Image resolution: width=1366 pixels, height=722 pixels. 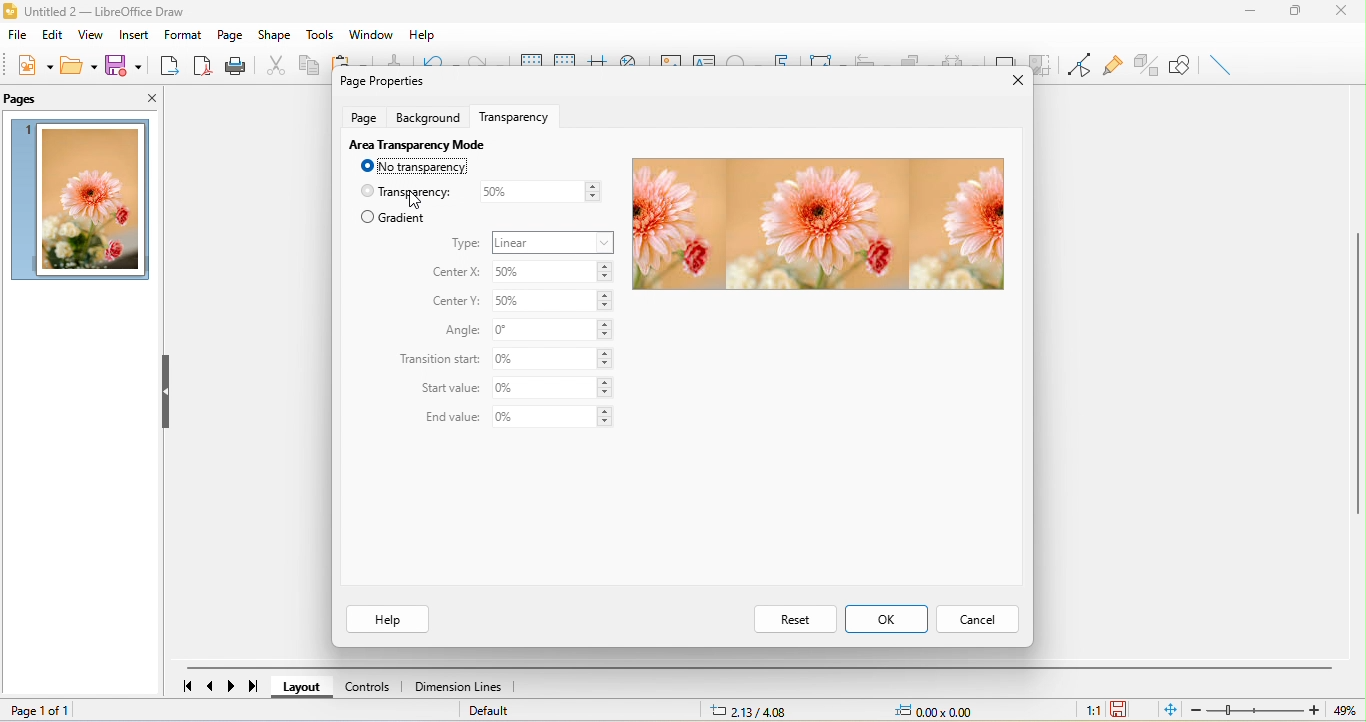 I want to click on glue point function, so click(x=1112, y=62).